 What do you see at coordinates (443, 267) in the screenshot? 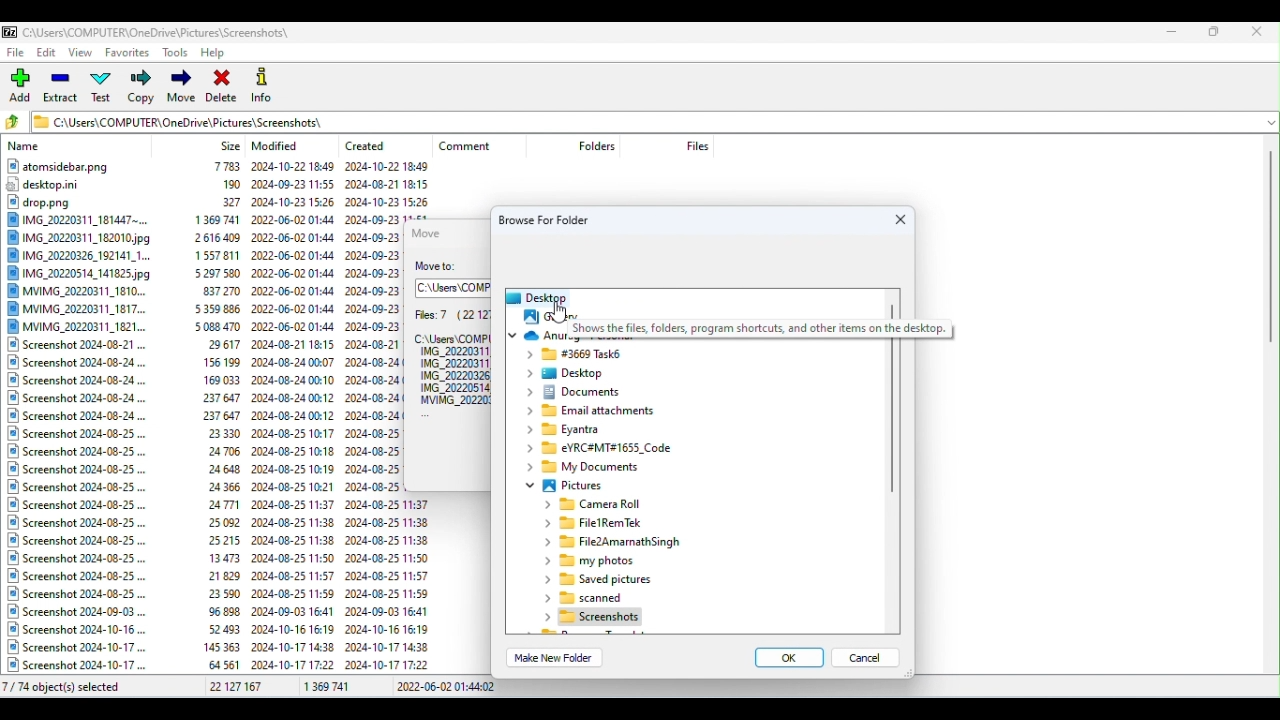
I see `Move to` at bounding box center [443, 267].